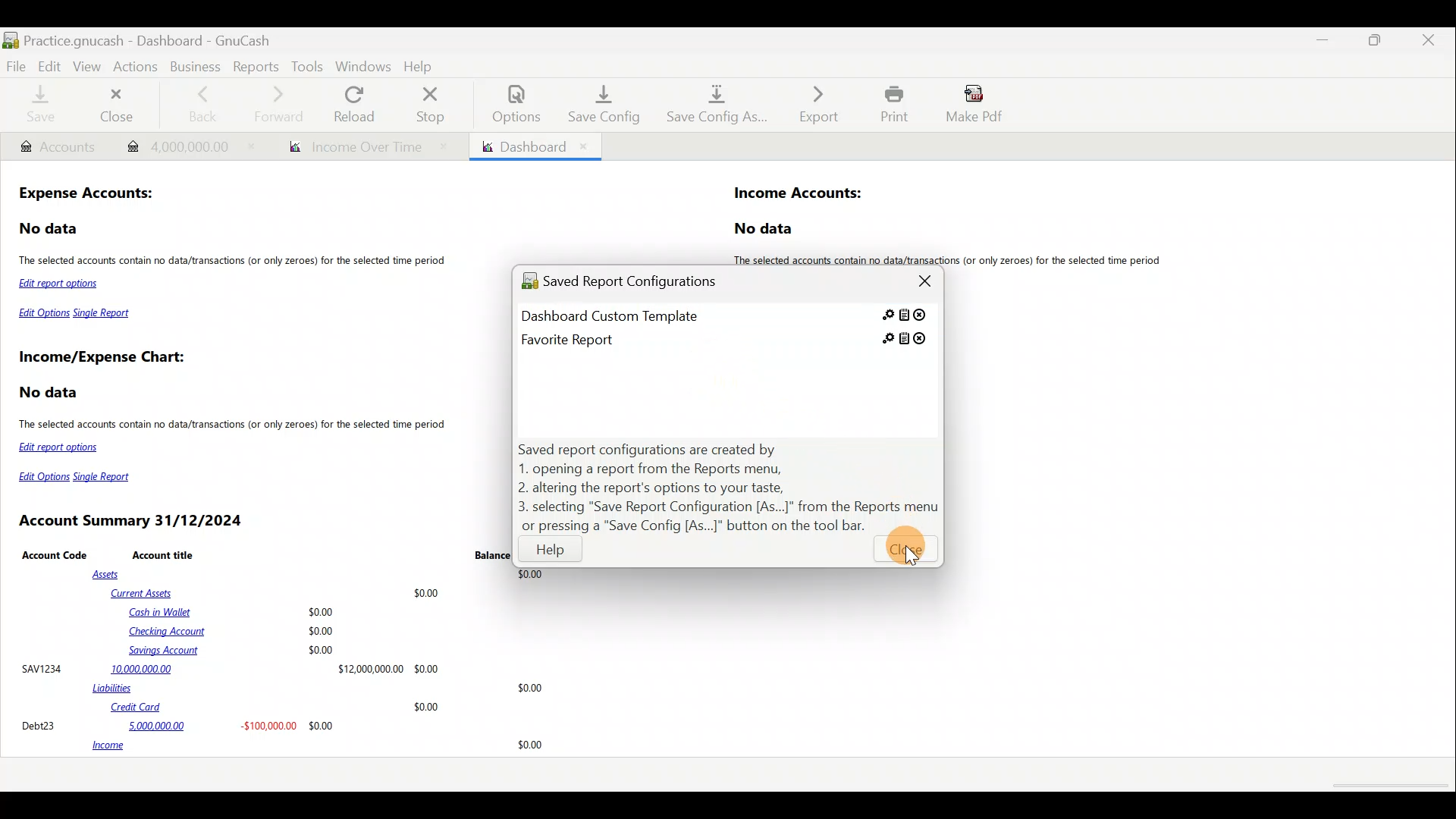  What do you see at coordinates (727, 314) in the screenshot?
I see `Saved report 1` at bounding box center [727, 314].